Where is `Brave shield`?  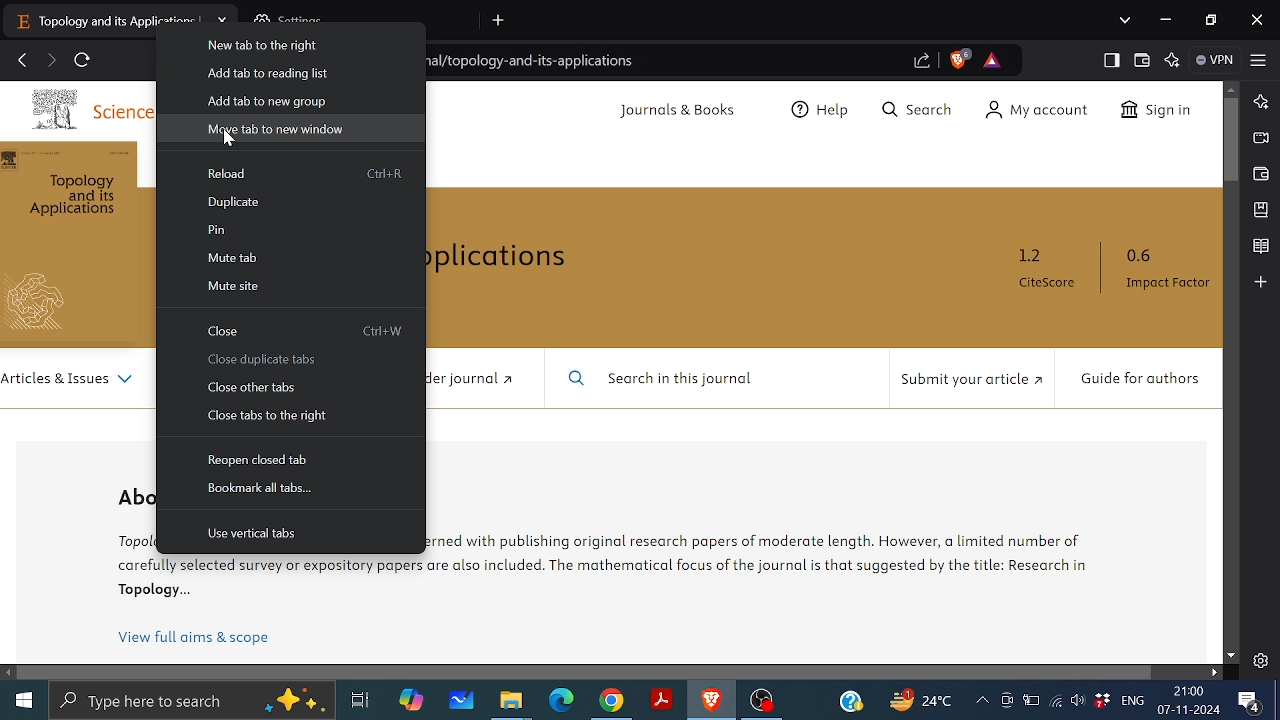 Brave shield is located at coordinates (957, 58).